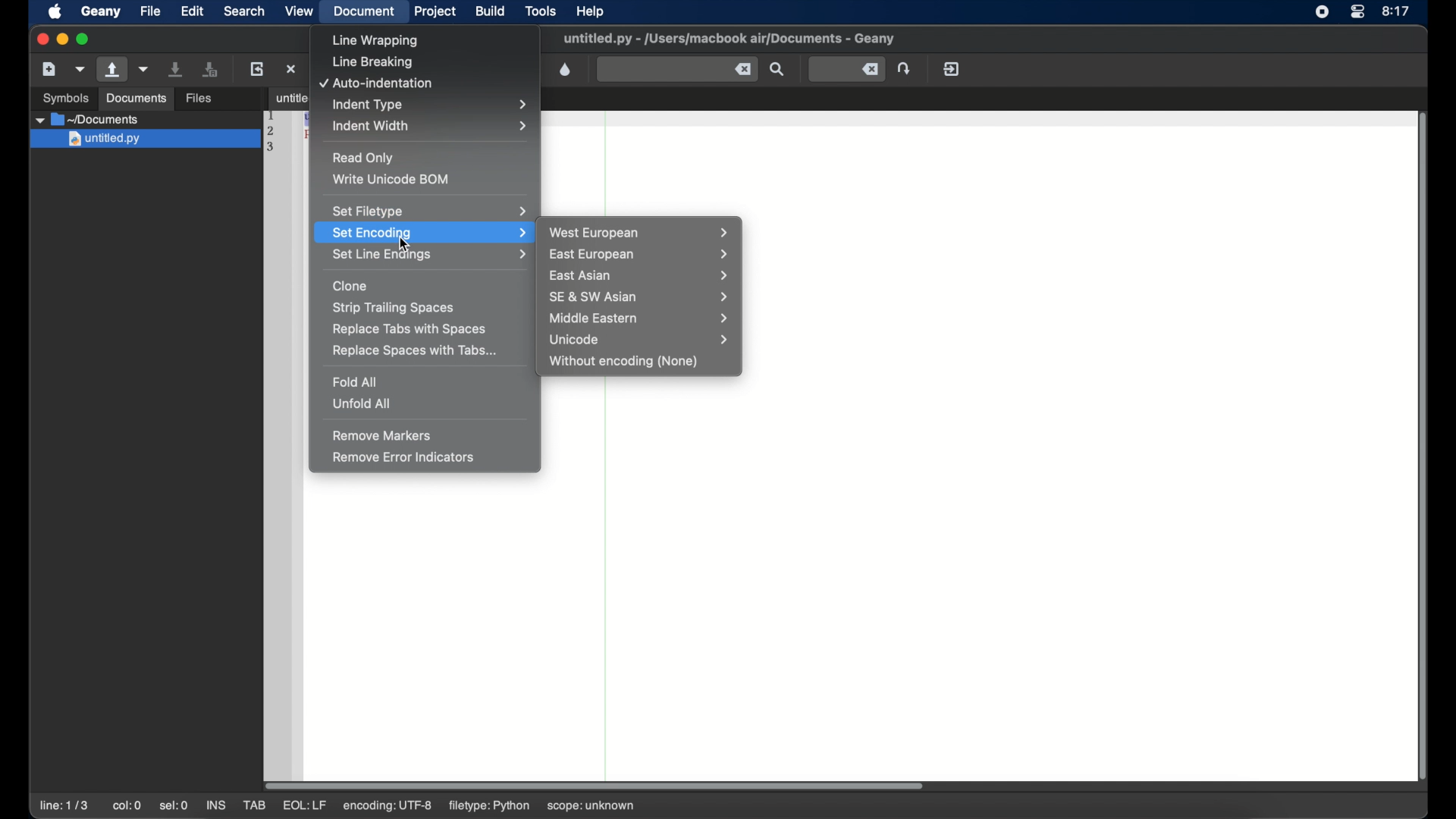 This screenshot has height=819, width=1456. Describe the element at coordinates (150, 11) in the screenshot. I see `file` at that location.